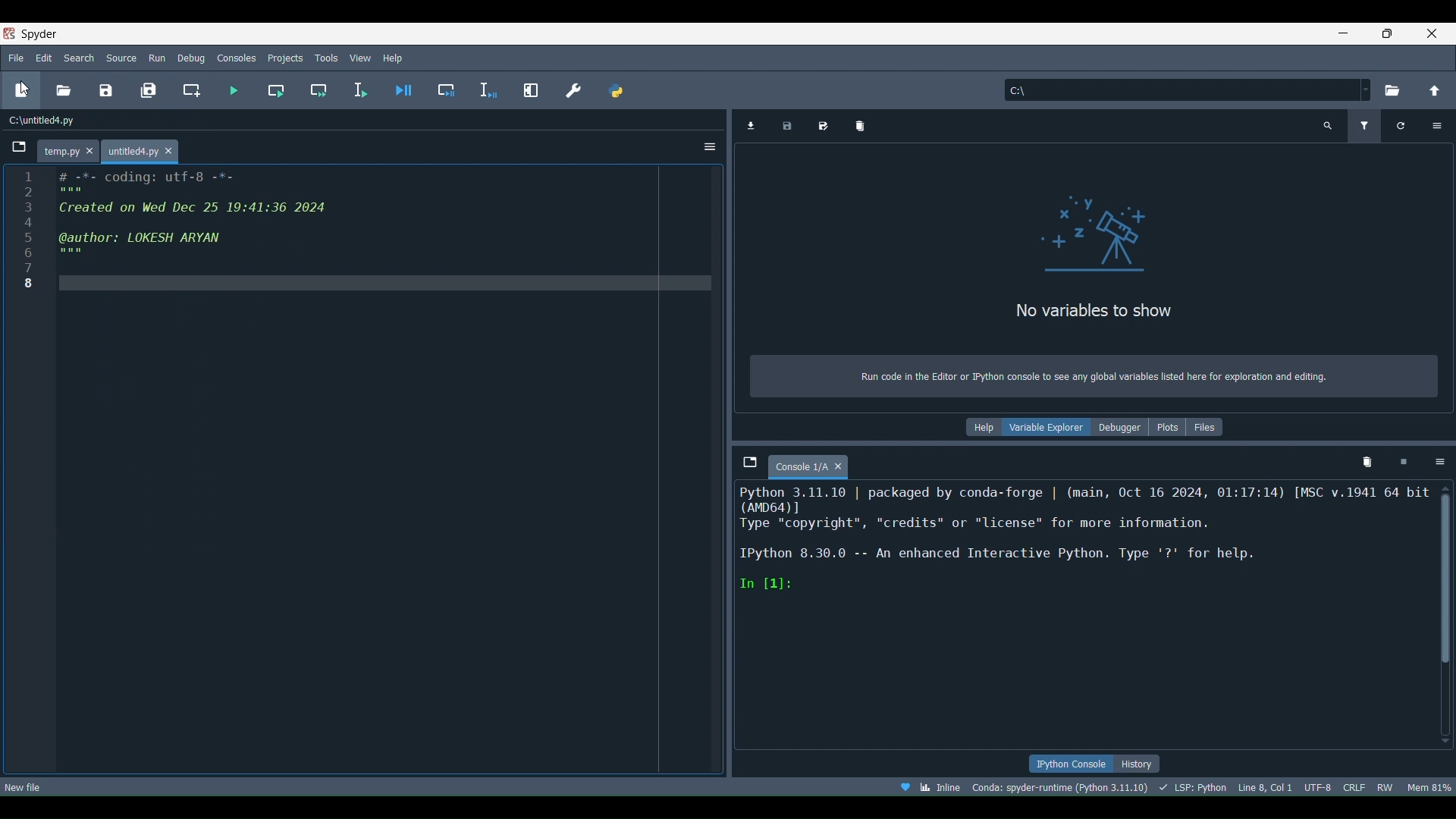  Describe the element at coordinates (822, 467) in the screenshot. I see `Console` at that location.